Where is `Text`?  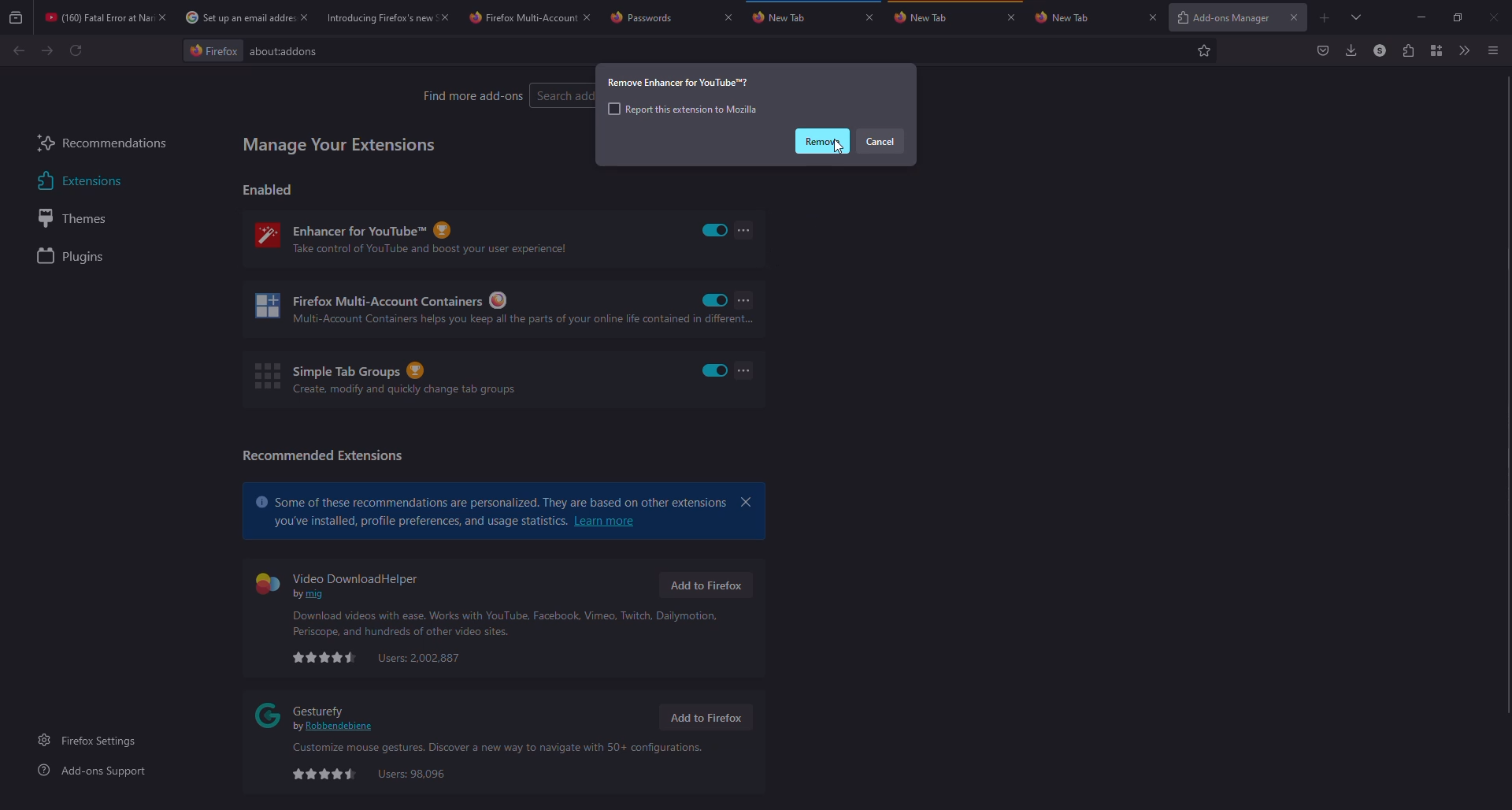 Text is located at coordinates (418, 522).